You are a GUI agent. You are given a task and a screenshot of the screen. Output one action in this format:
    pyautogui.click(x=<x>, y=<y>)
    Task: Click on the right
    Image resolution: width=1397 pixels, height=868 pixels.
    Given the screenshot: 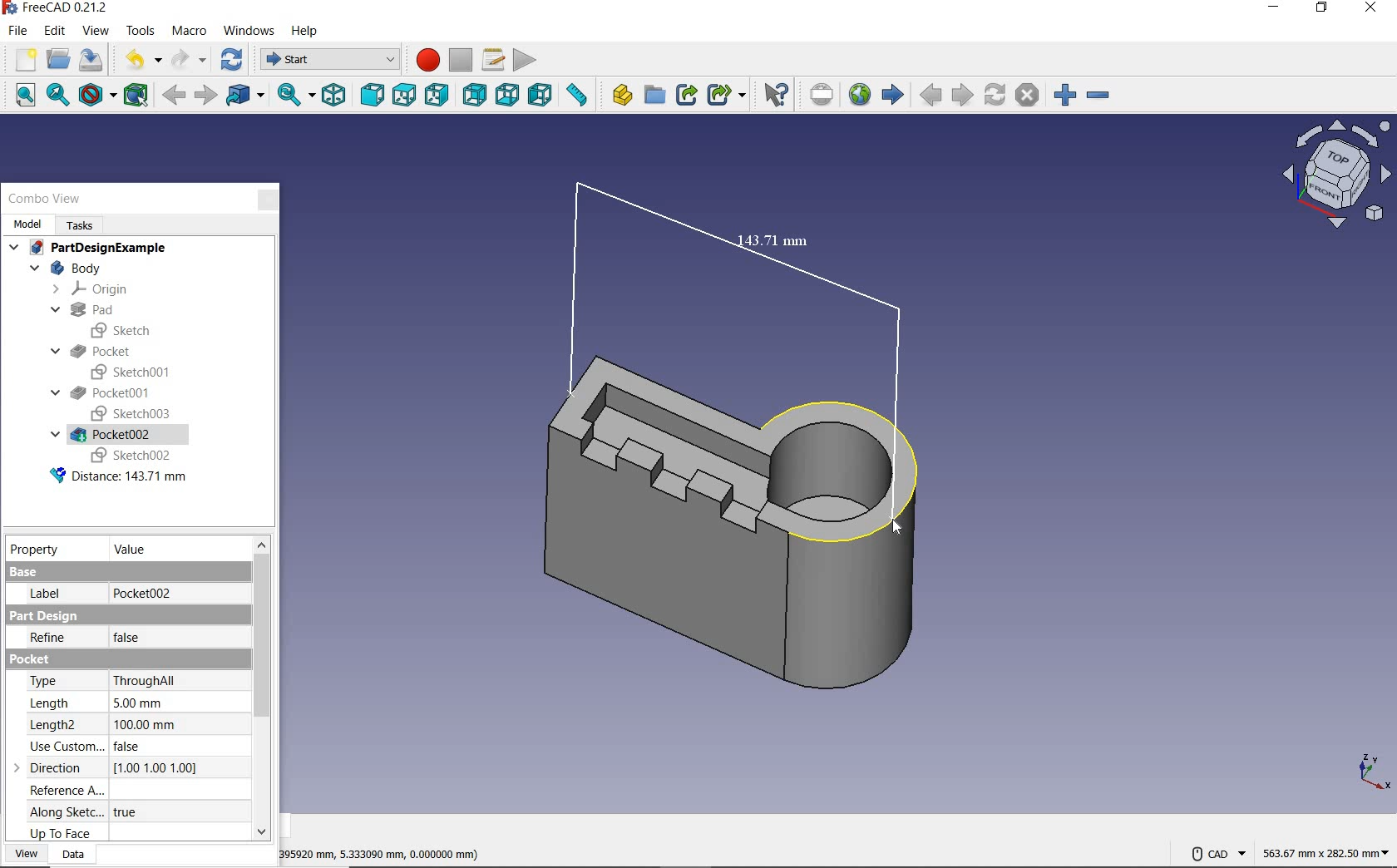 What is the action you would take?
    pyautogui.click(x=437, y=94)
    